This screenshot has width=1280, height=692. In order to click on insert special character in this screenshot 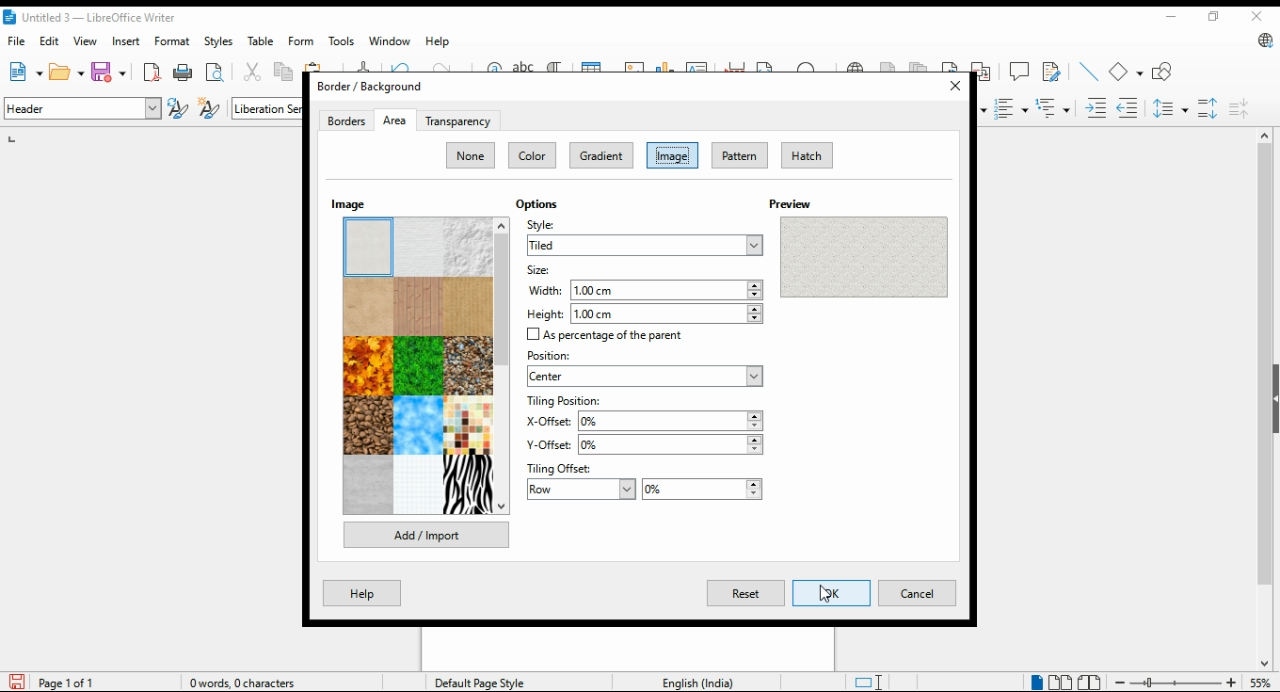, I will do `click(812, 66)`.